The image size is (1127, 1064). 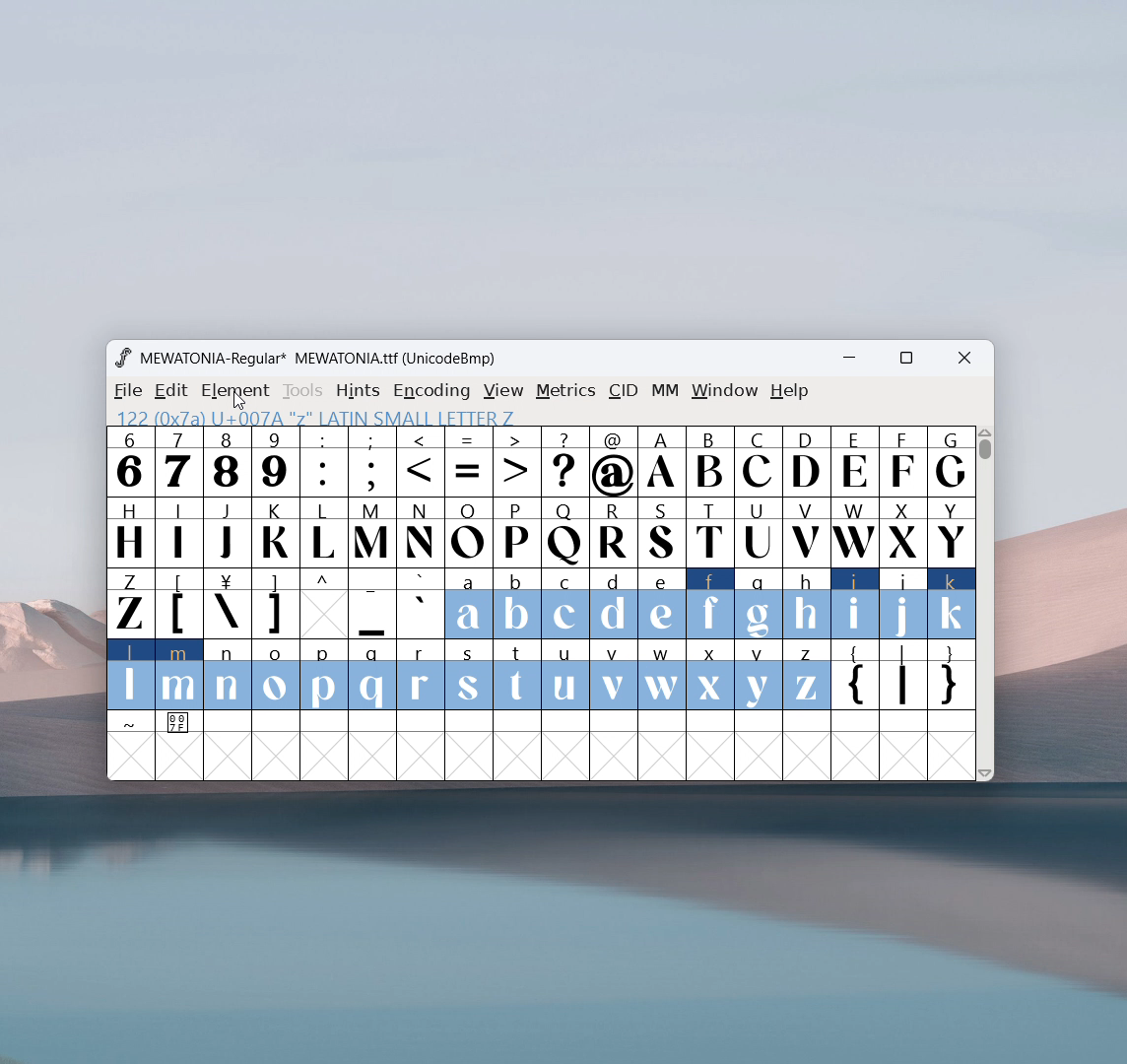 I want to click on cursor, so click(x=239, y=402).